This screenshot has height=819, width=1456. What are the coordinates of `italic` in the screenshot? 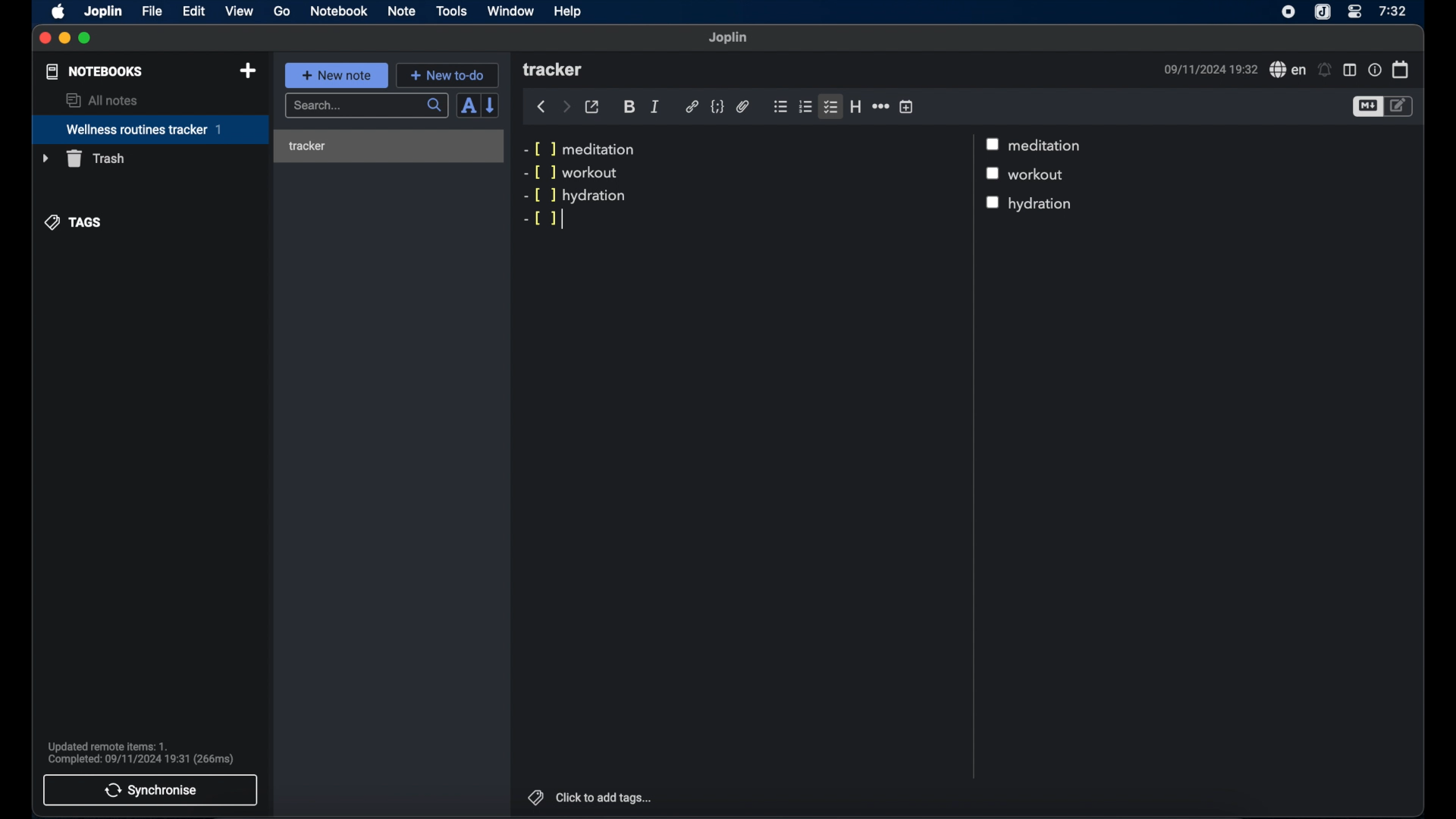 It's located at (655, 107).